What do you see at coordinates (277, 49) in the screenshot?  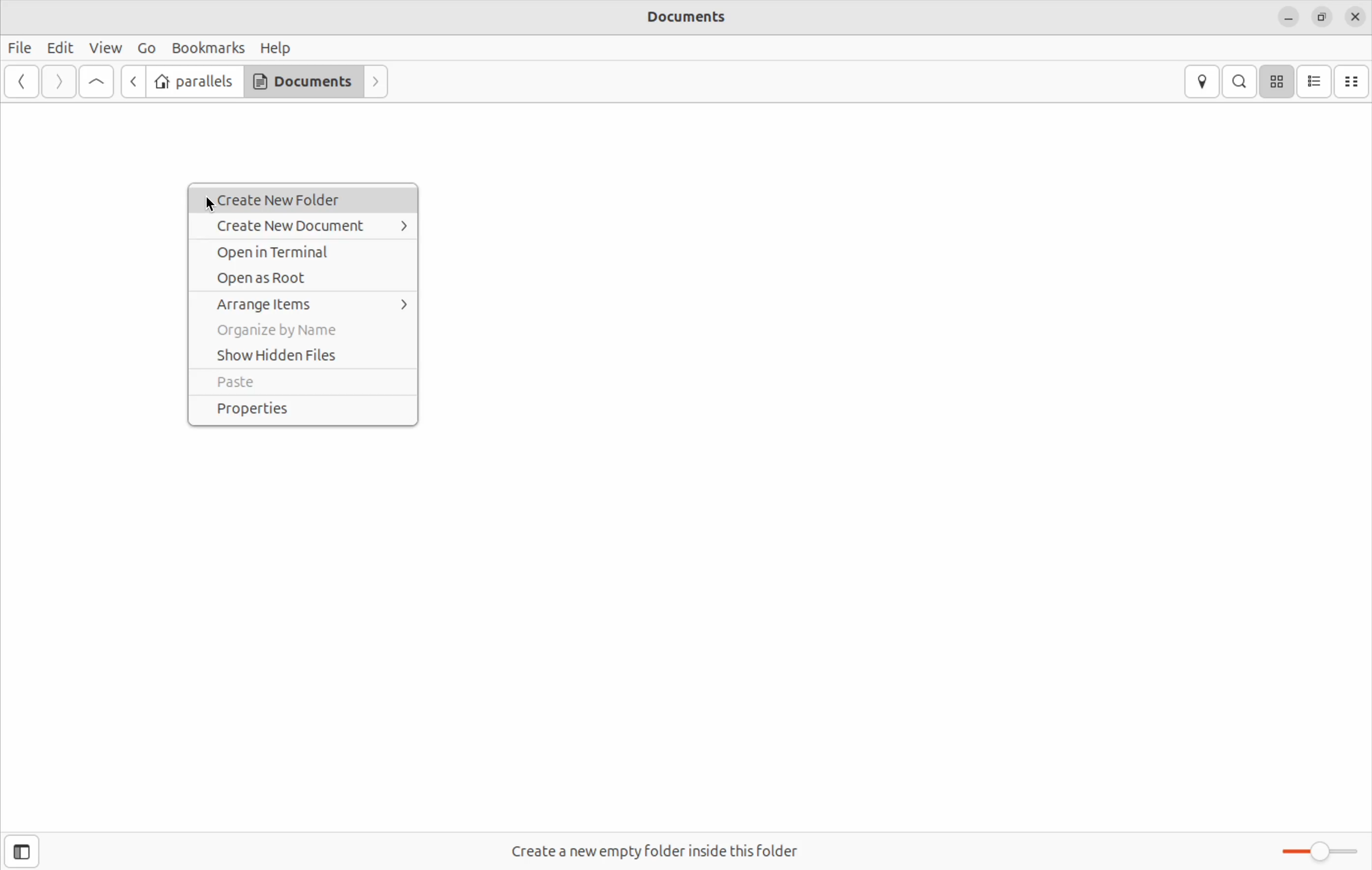 I see `Help` at bounding box center [277, 49].